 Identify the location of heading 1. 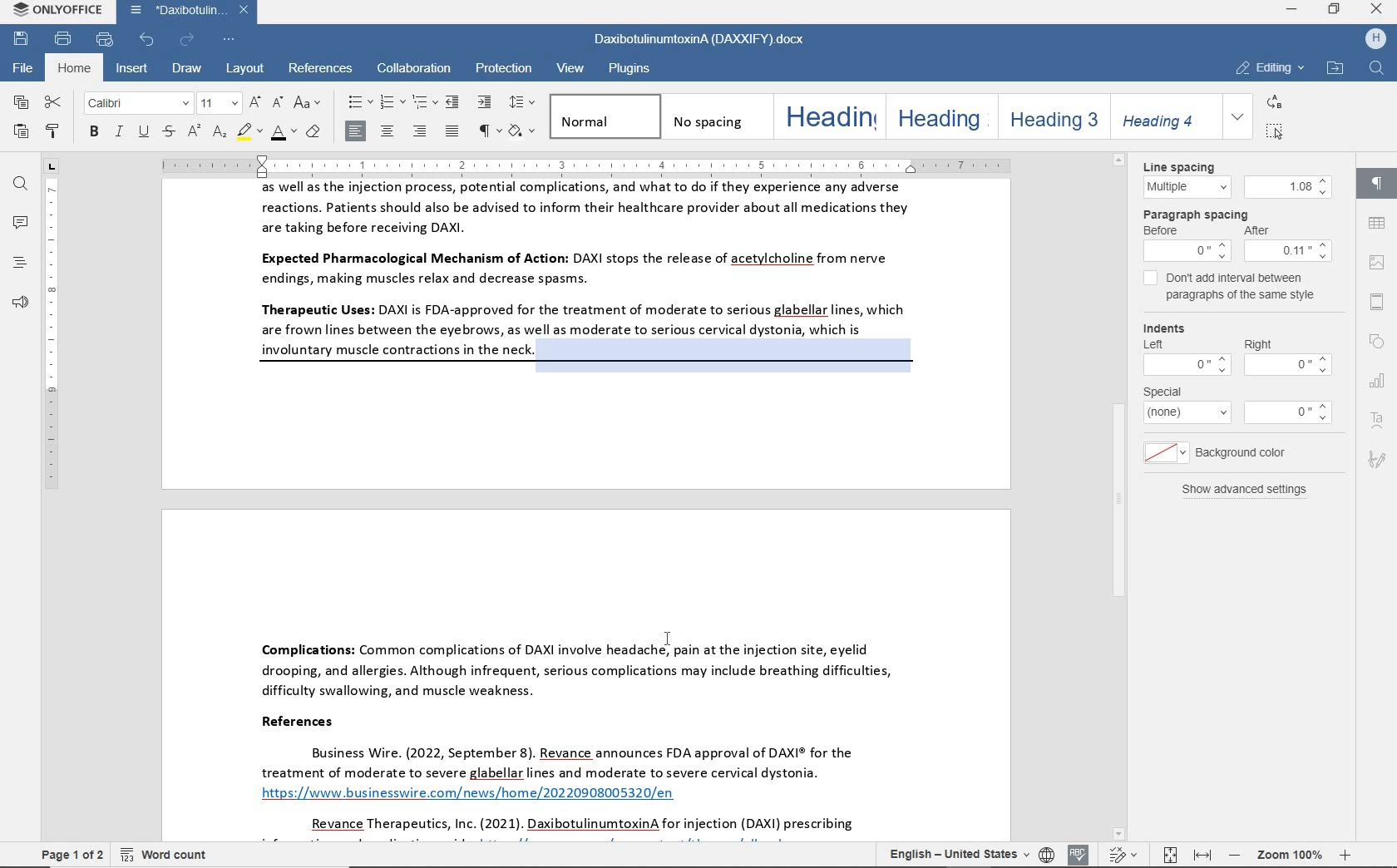
(827, 116).